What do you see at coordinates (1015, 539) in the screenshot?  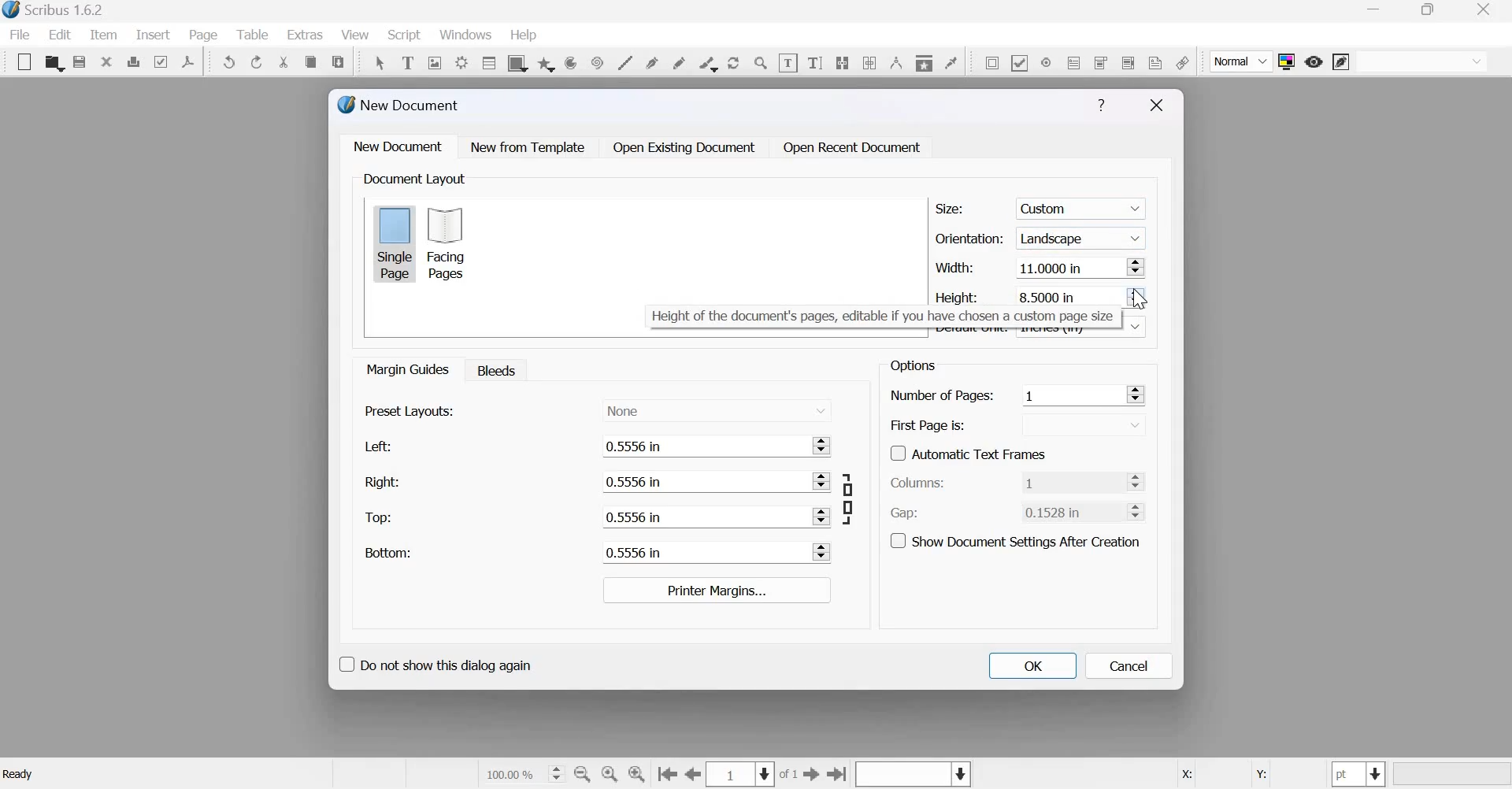 I see `Show document settings after creation` at bounding box center [1015, 539].